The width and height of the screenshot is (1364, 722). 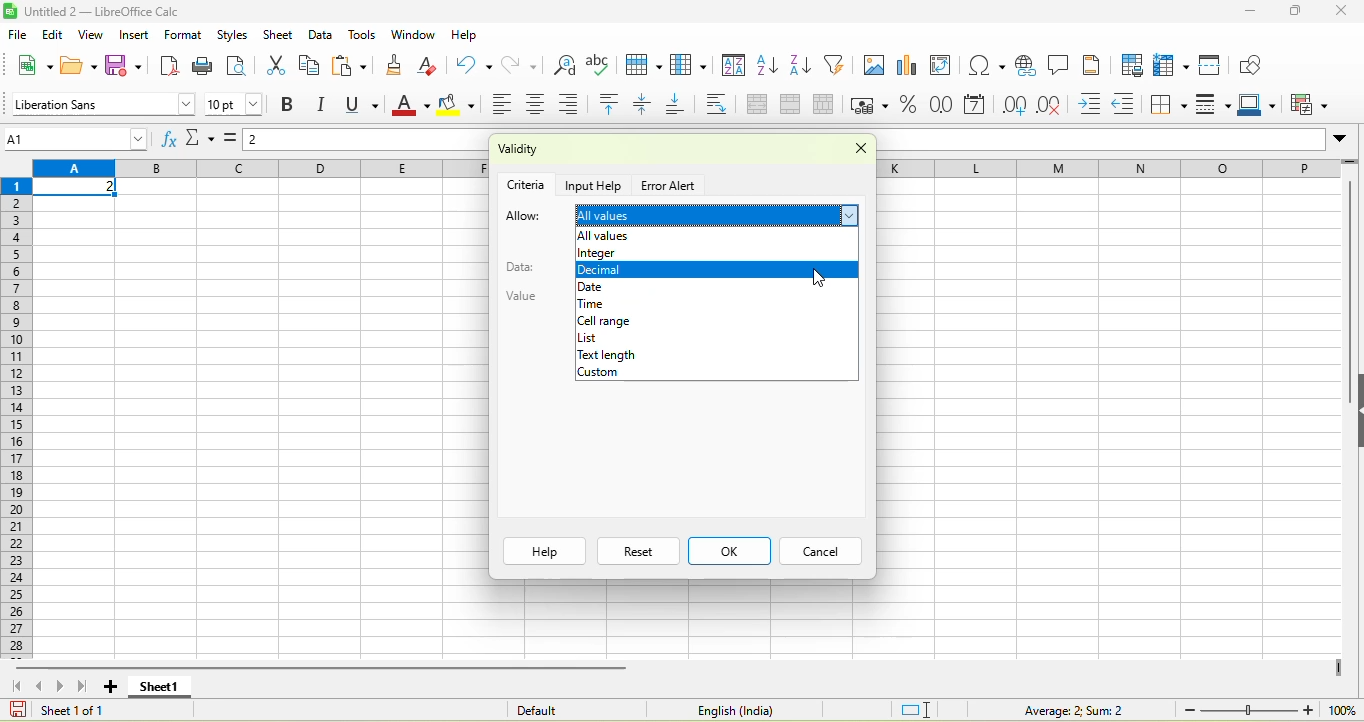 I want to click on text length, so click(x=714, y=355).